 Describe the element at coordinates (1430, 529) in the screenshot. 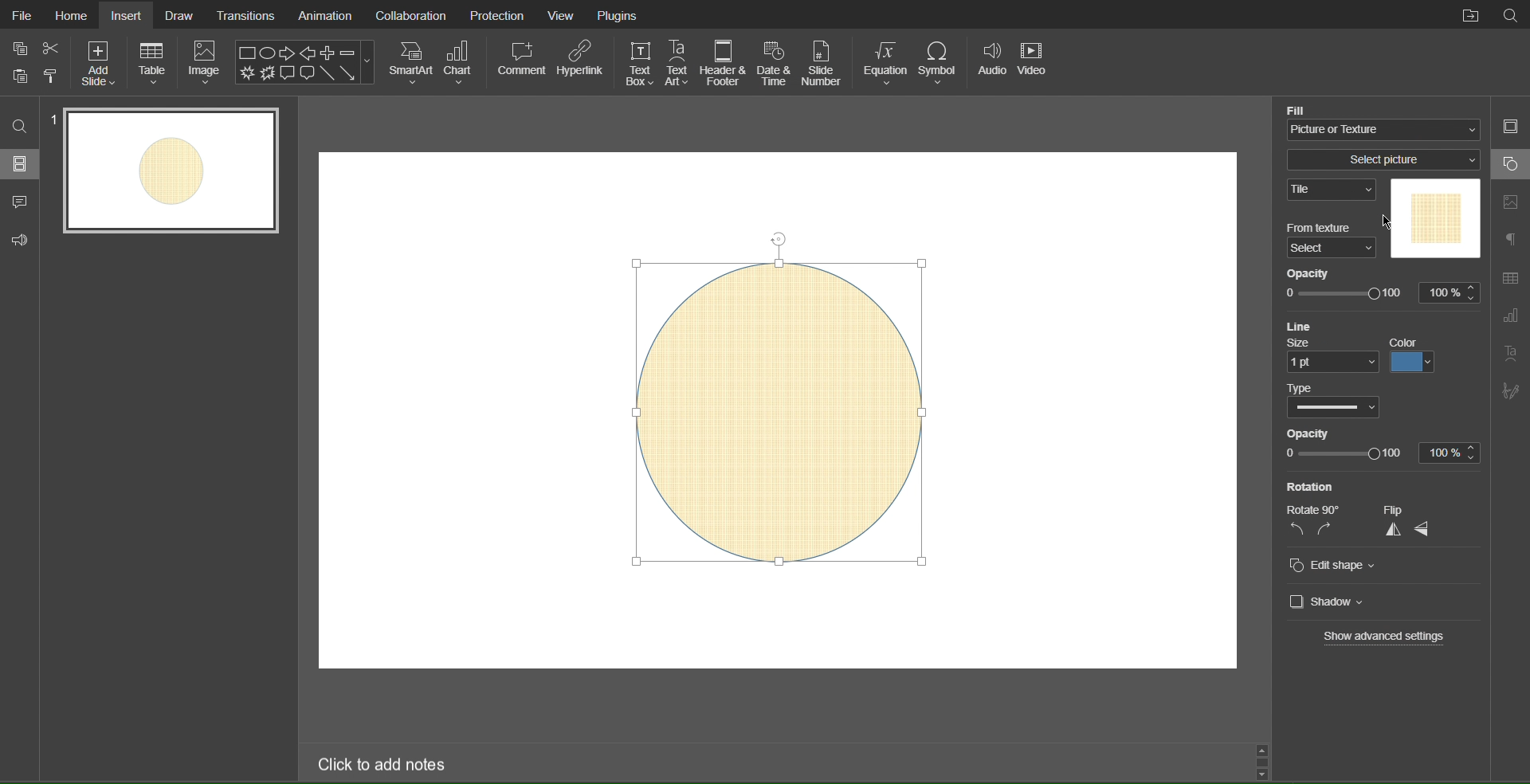

I see `flip sideways` at that location.